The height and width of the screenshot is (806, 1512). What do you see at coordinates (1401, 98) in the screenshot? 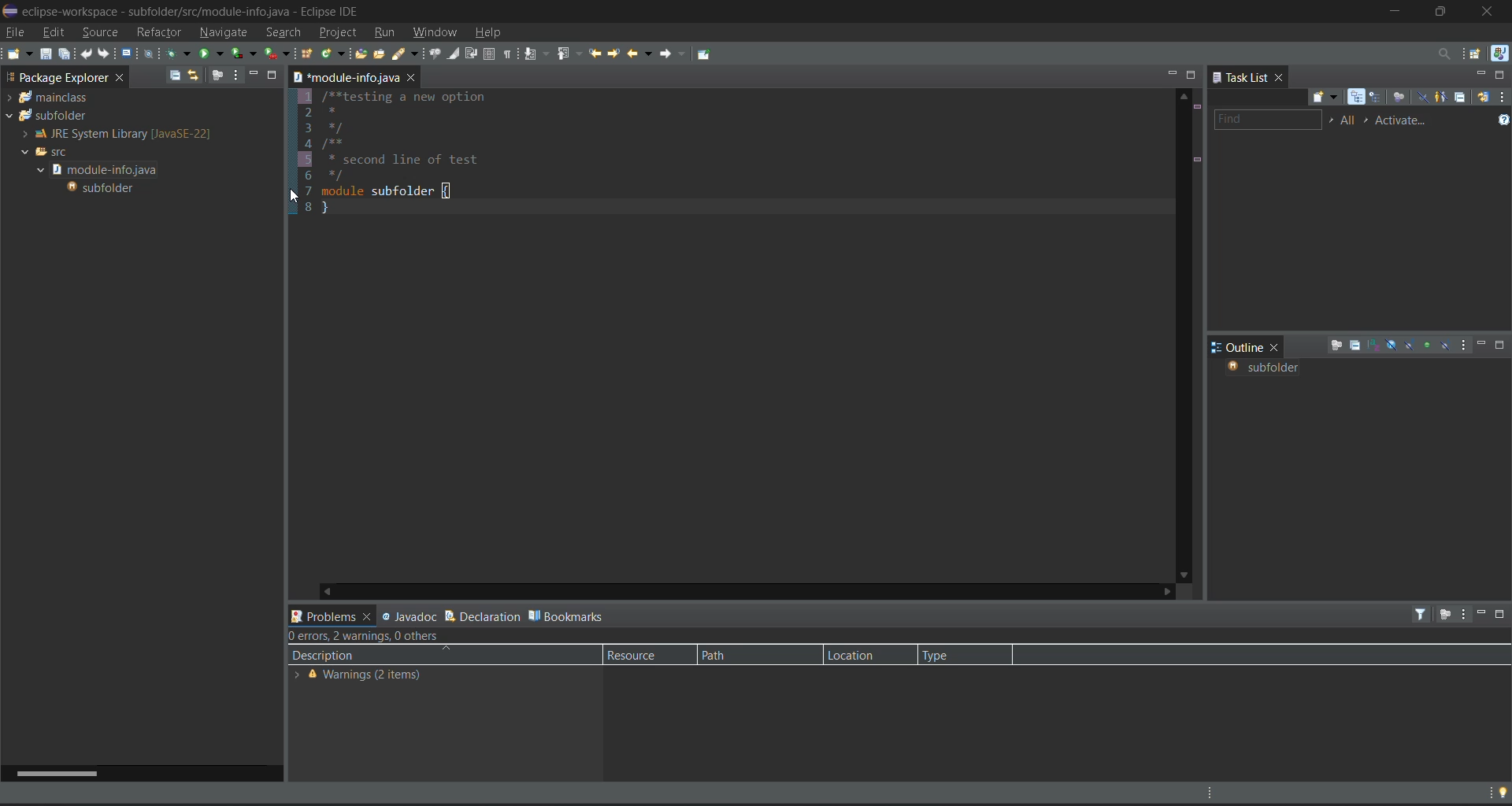
I see `focus on workweek` at bounding box center [1401, 98].